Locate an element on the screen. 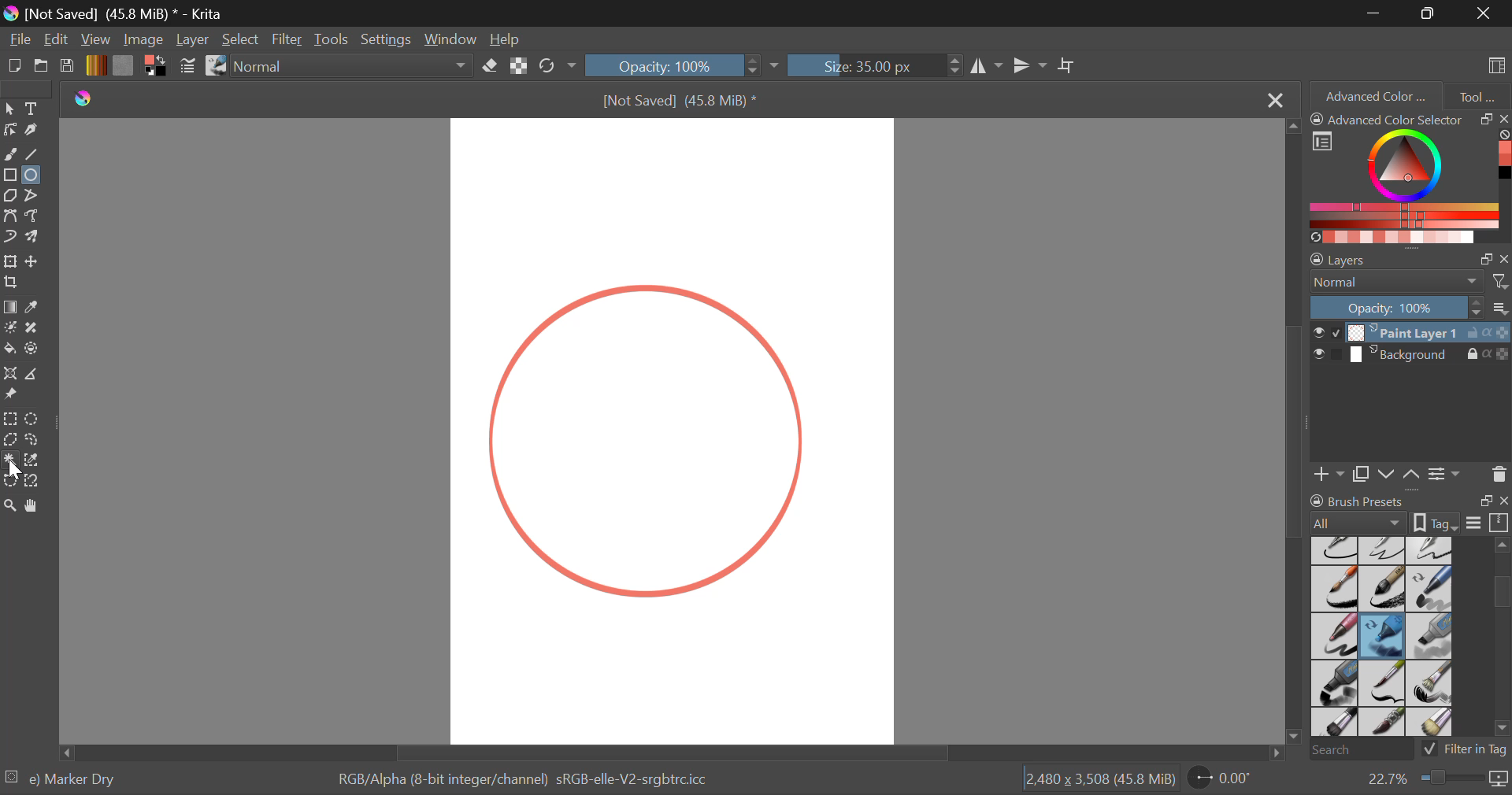  Freehand Path Tool is located at coordinates (32, 215).